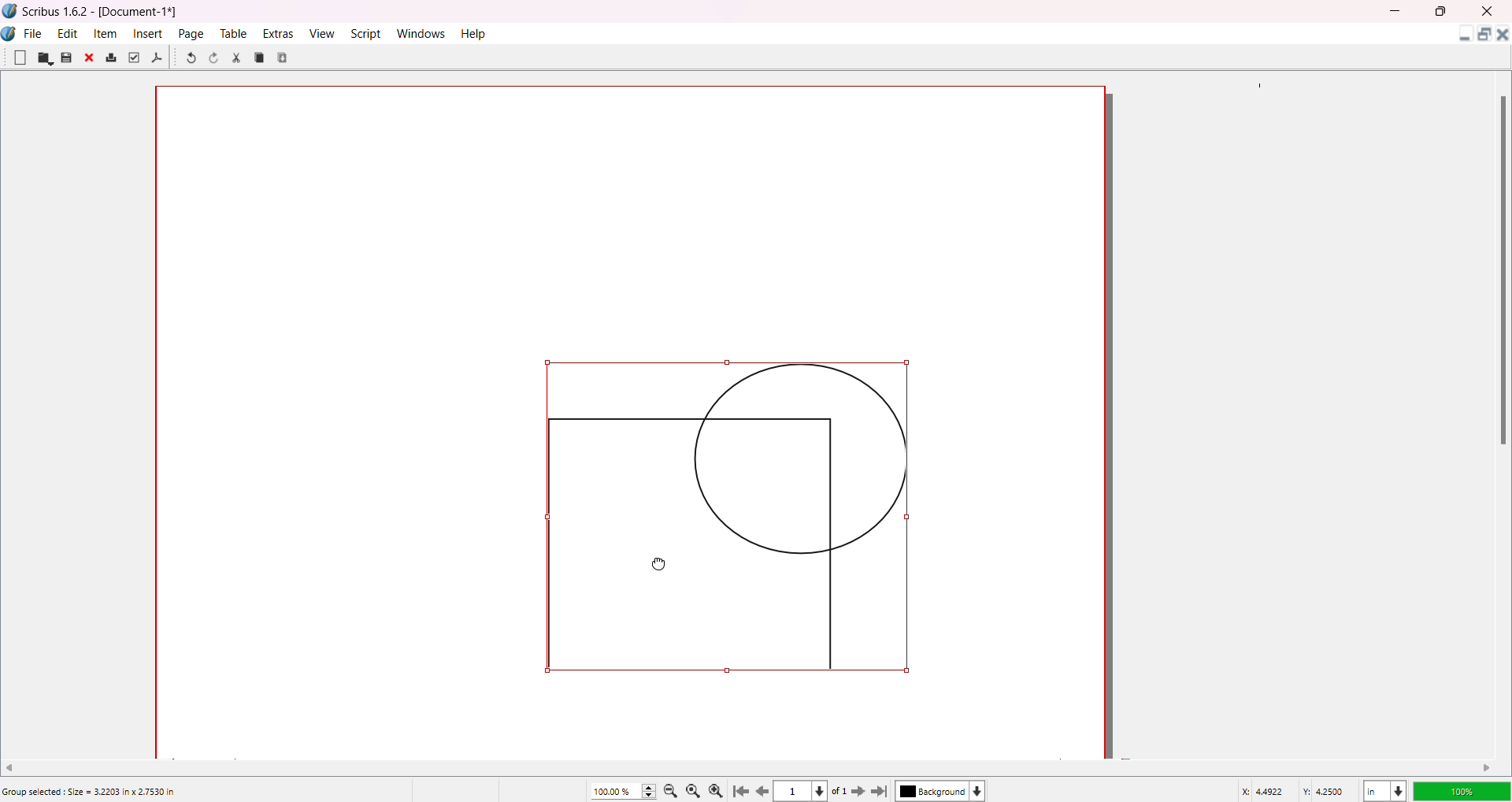  Describe the element at coordinates (424, 33) in the screenshot. I see `Windows` at that location.